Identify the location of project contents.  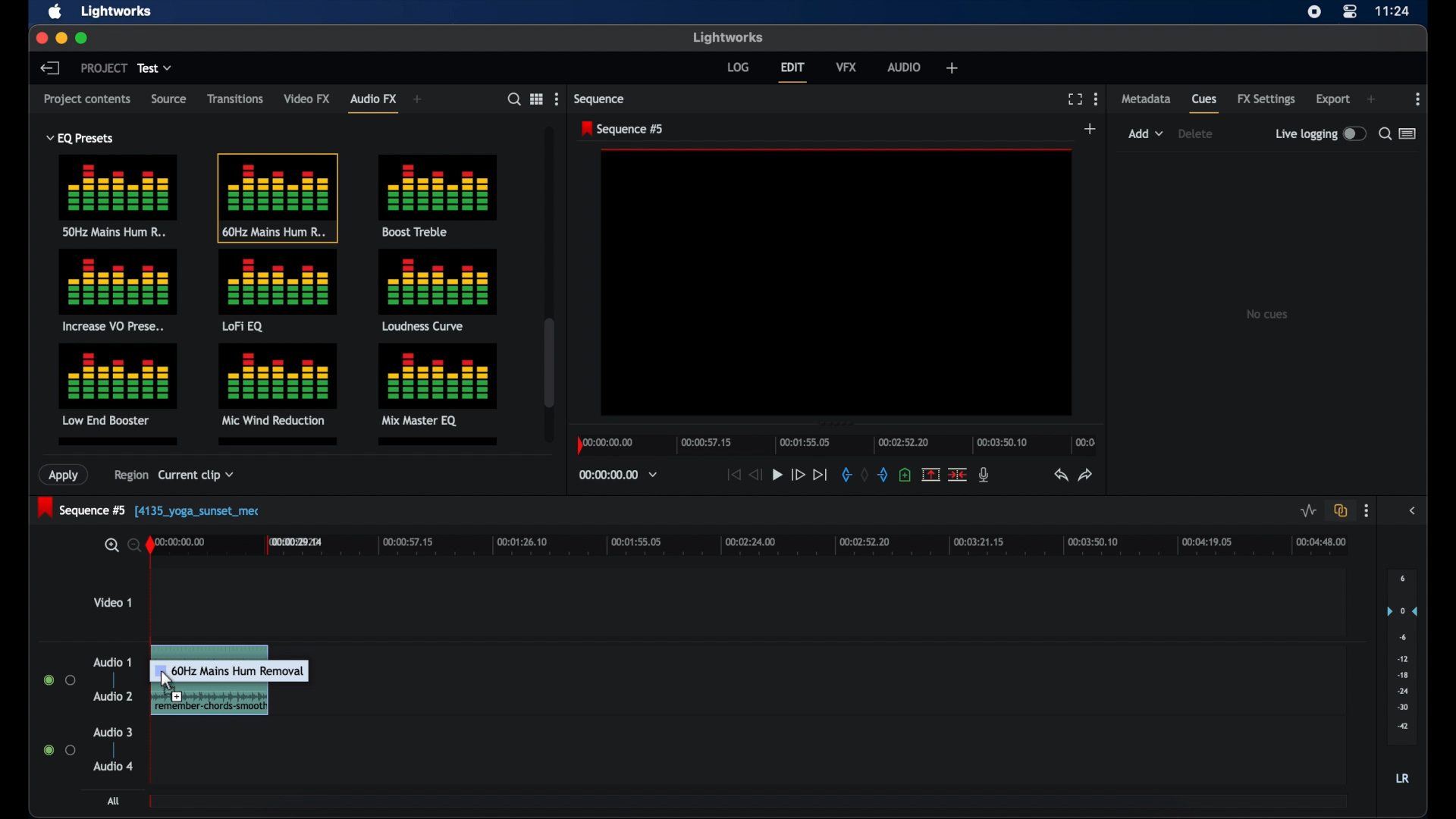
(87, 102).